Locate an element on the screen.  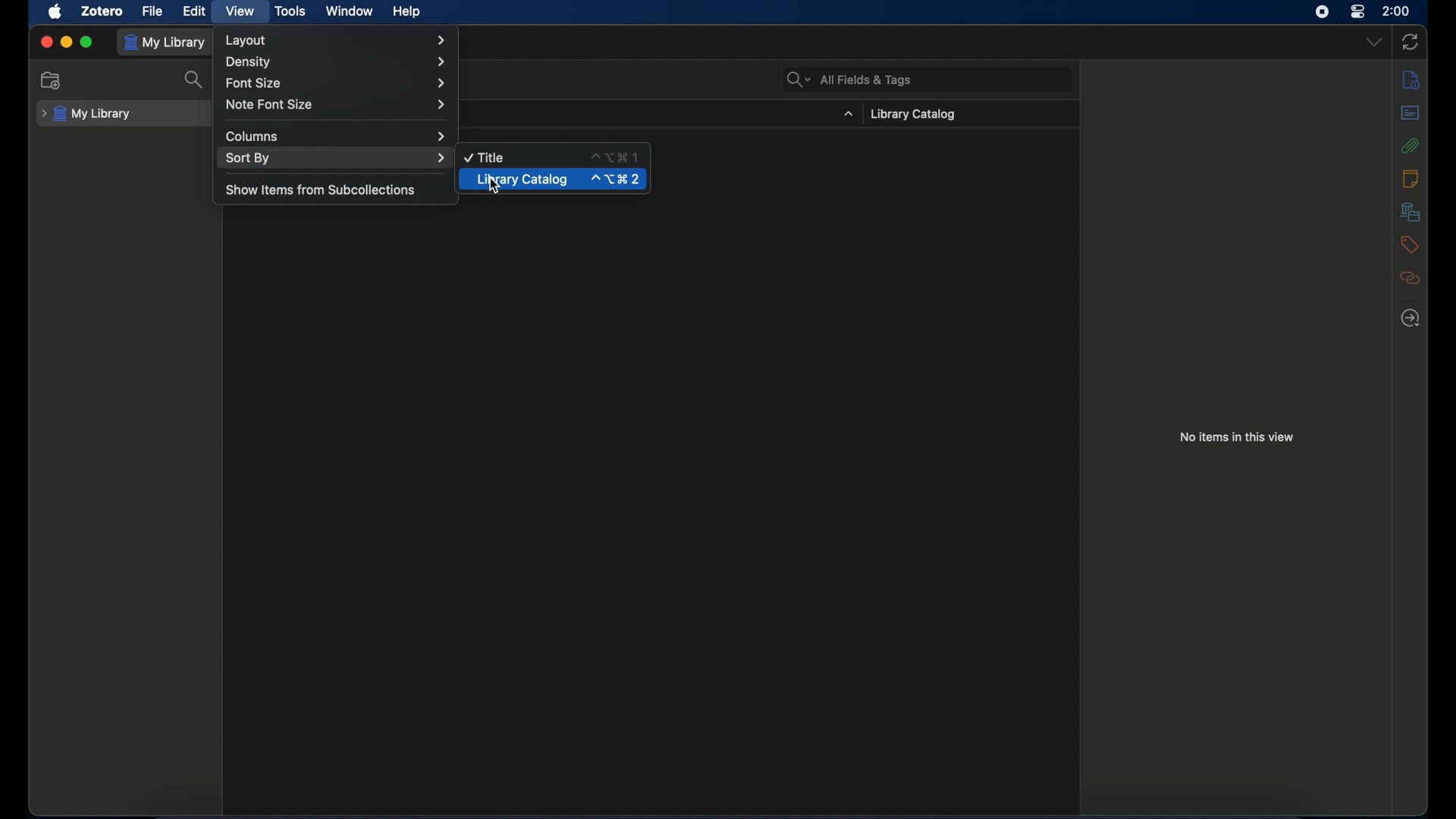
sort by is located at coordinates (335, 158).